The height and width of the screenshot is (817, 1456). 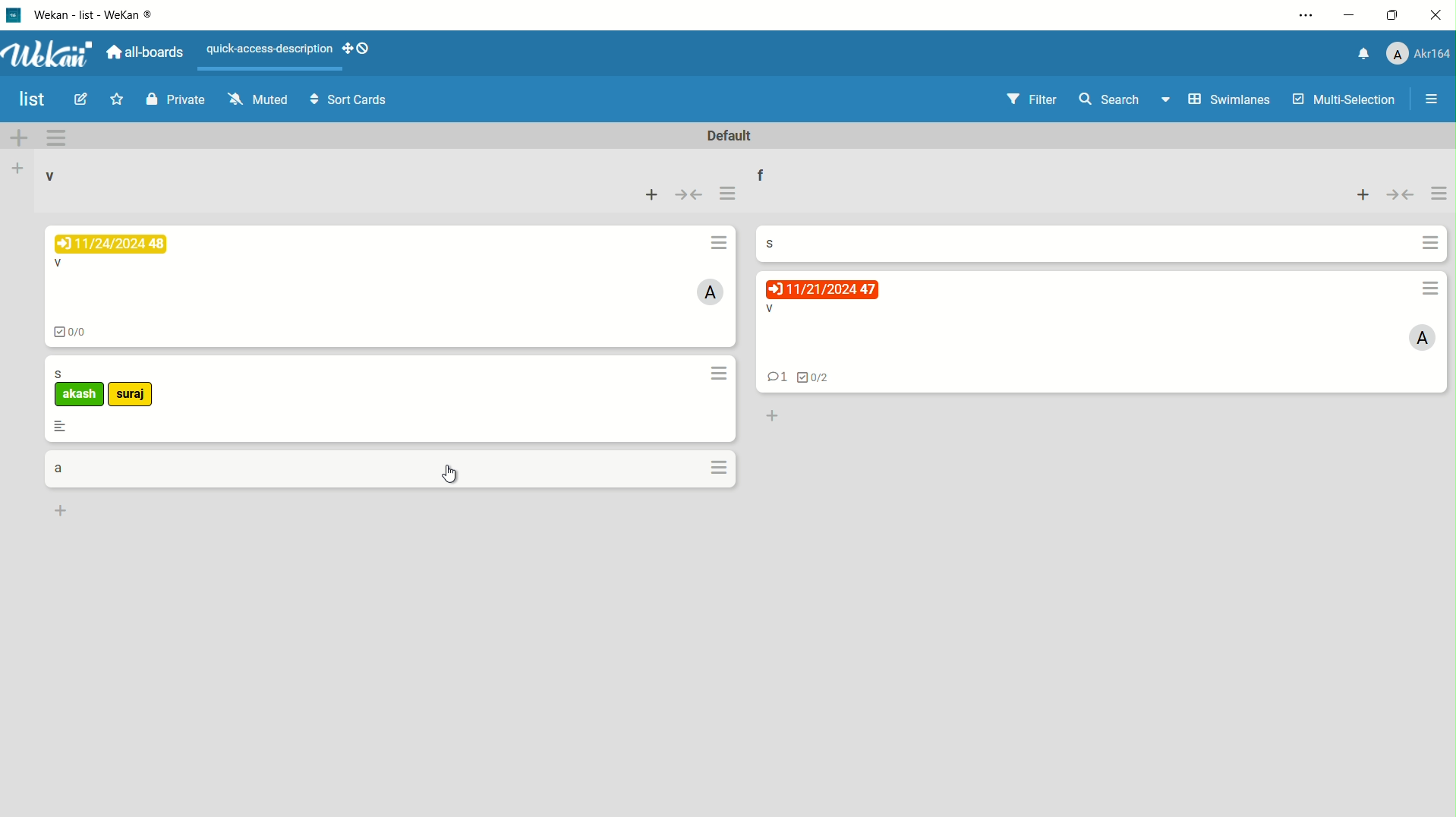 I want to click on swimlane actions, so click(x=60, y=137).